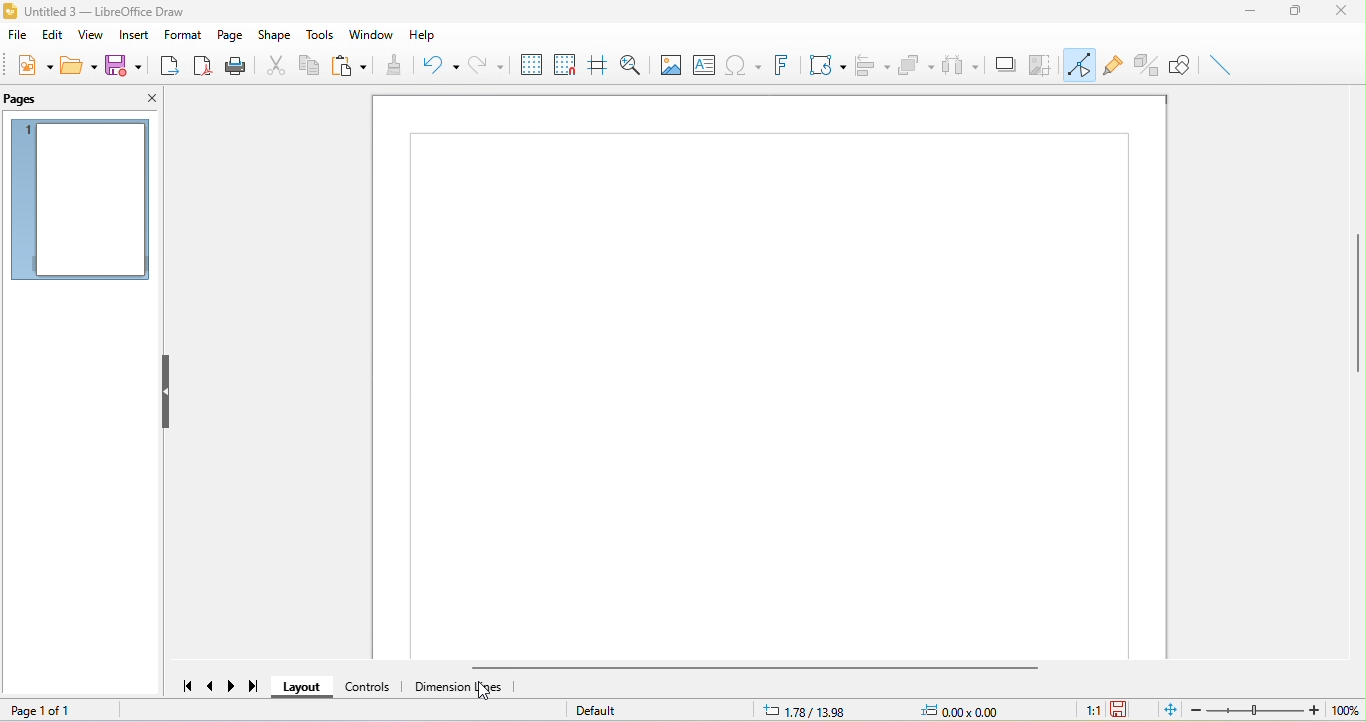 The image size is (1366, 722). Describe the element at coordinates (1081, 64) in the screenshot. I see `toggle point edit mode` at that location.